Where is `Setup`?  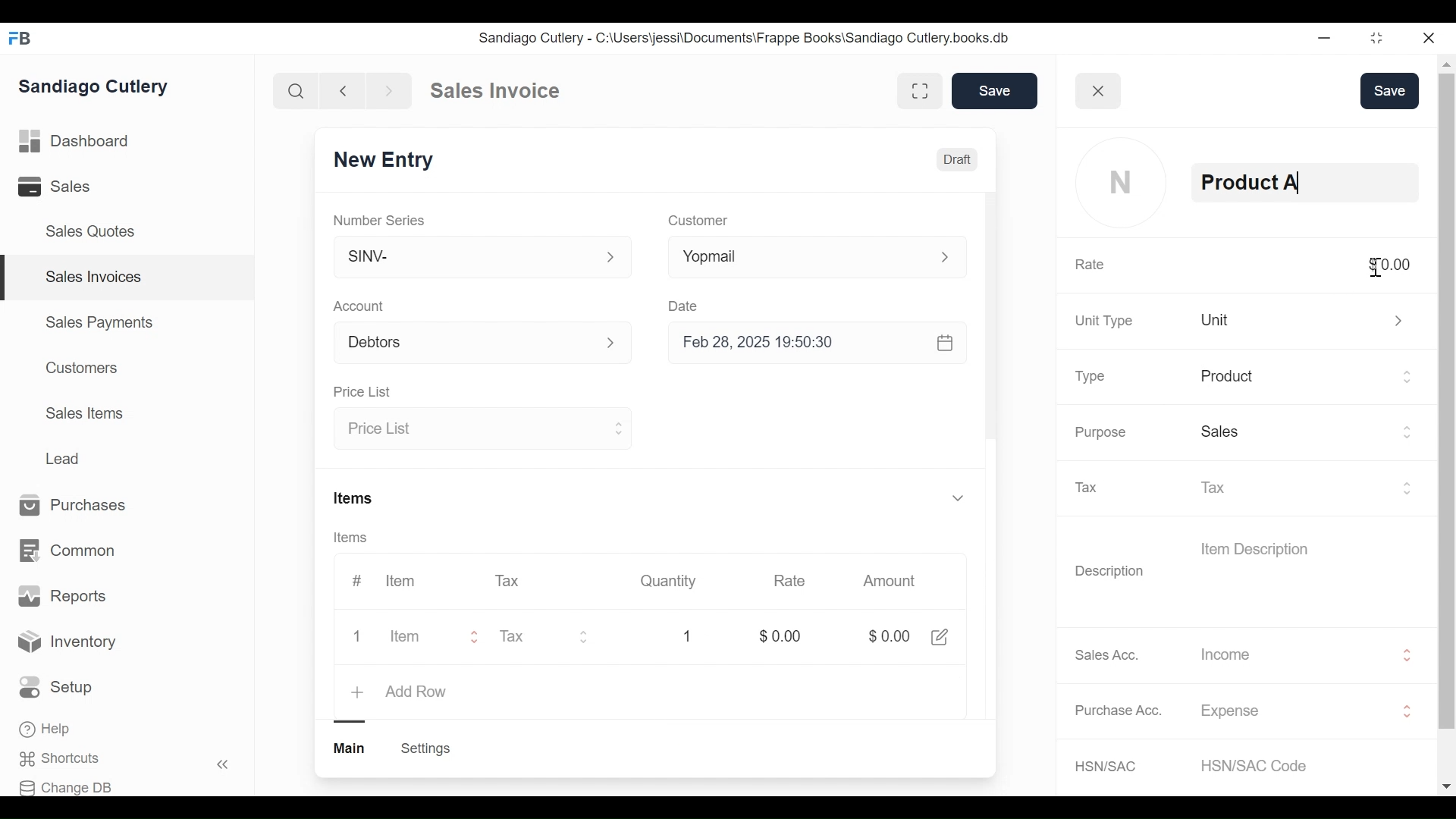 Setup is located at coordinates (56, 687).